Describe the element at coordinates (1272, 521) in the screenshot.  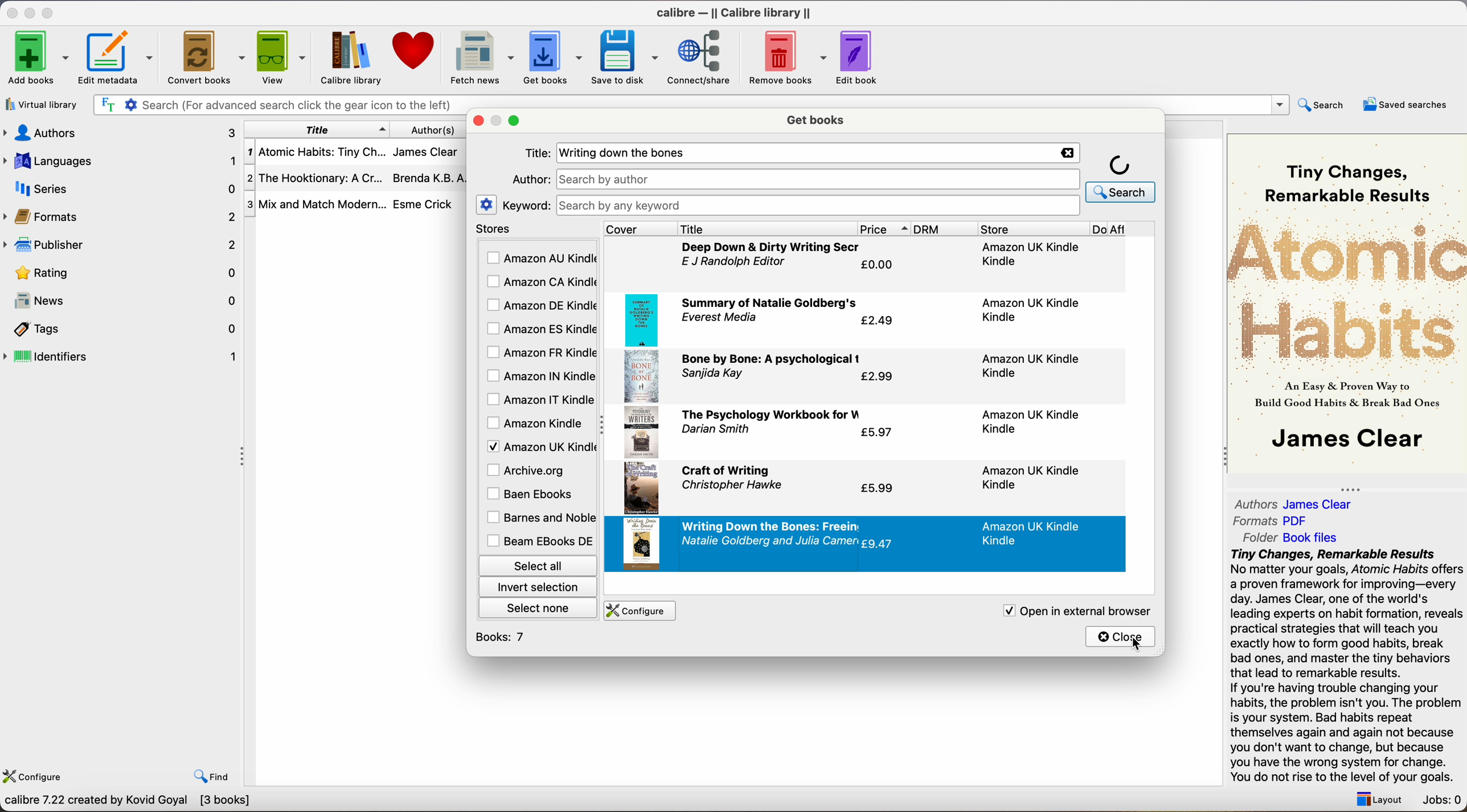
I see `Formats PDF` at that location.